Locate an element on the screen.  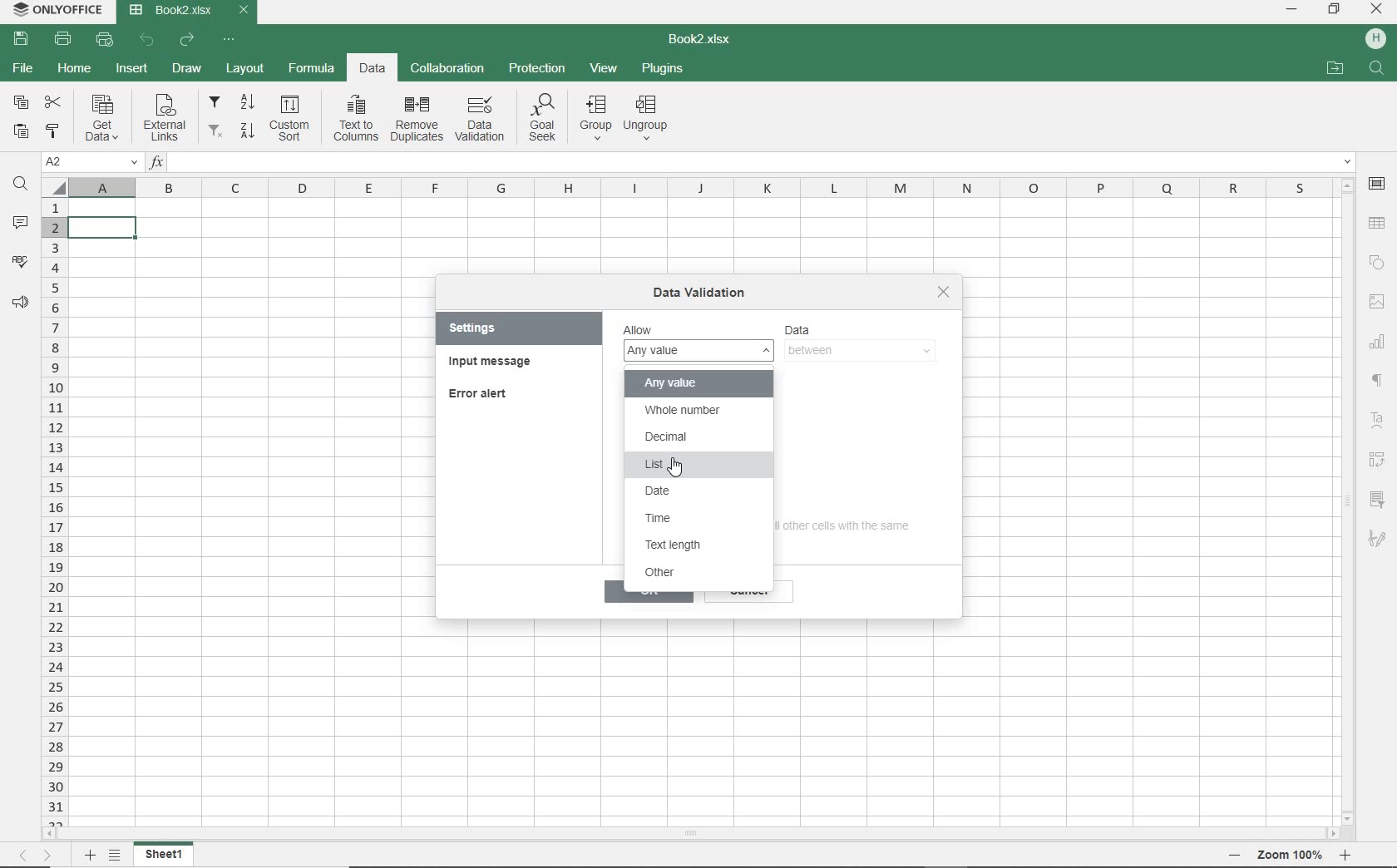
text length is located at coordinates (679, 546).